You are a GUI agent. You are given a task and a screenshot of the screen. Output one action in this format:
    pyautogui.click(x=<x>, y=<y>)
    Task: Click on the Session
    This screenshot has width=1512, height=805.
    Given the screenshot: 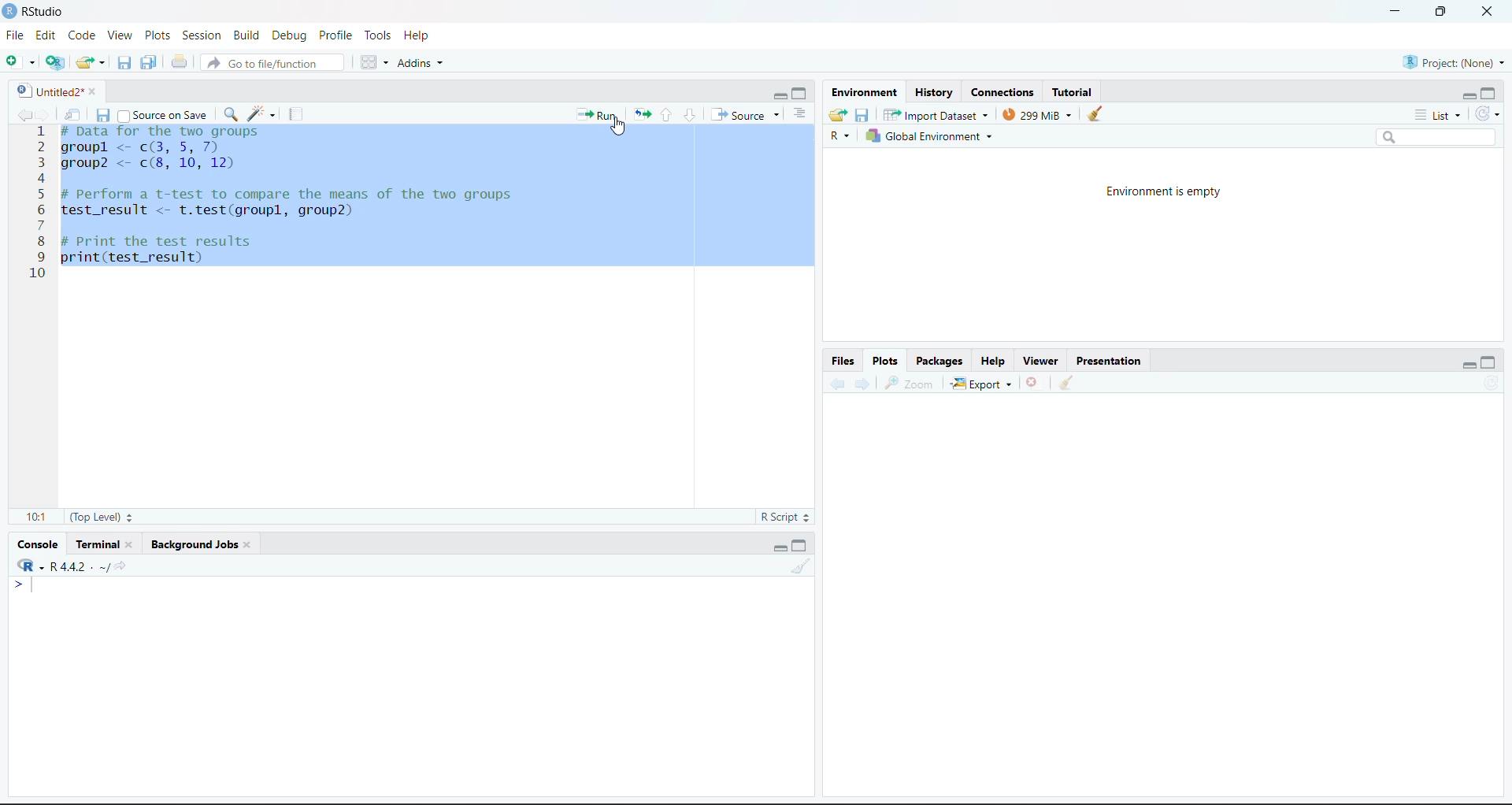 What is the action you would take?
    pyautogui.click(x=203, y=35)
    